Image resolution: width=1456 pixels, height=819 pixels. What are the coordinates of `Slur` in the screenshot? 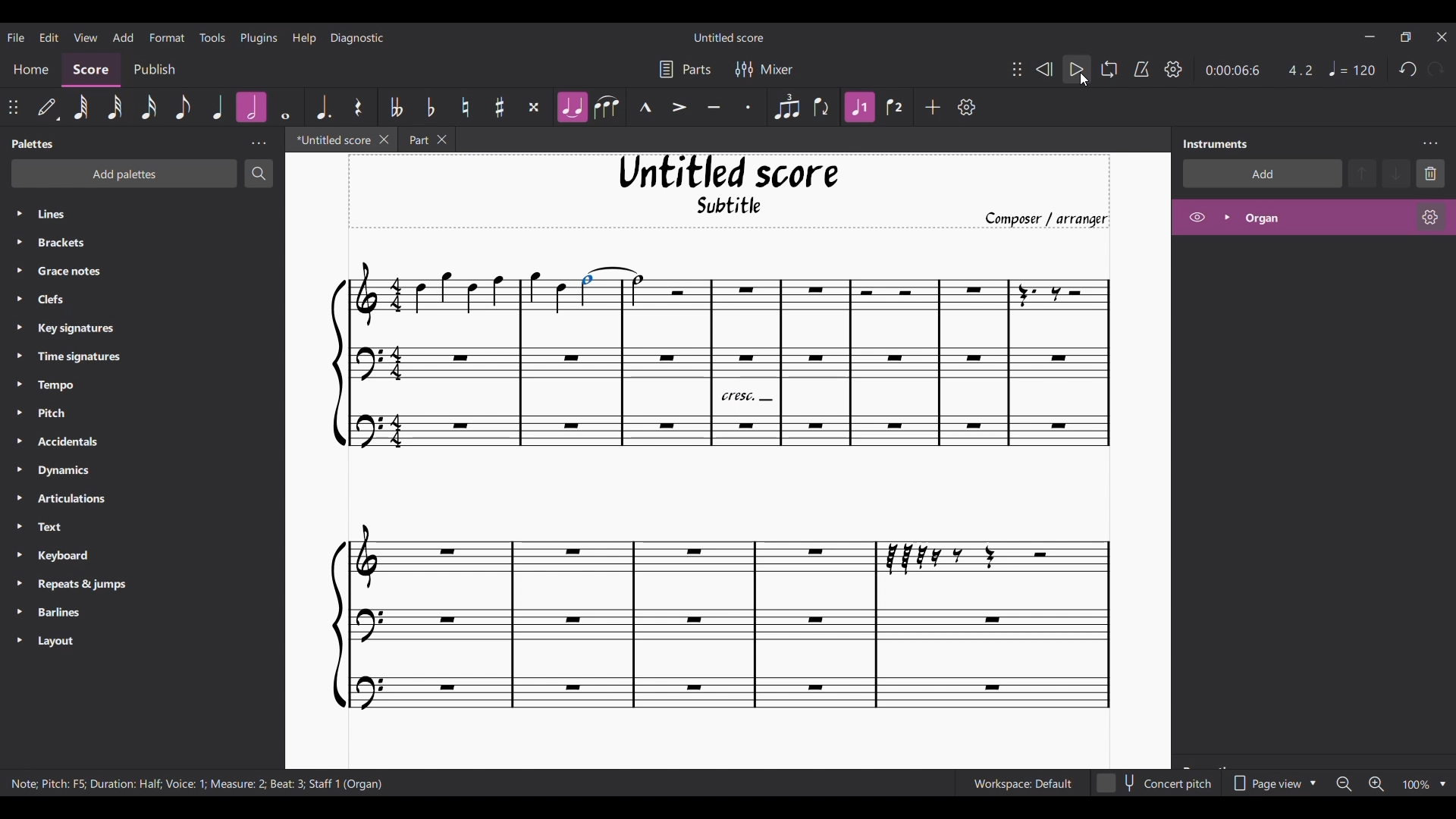 It's located at (607, 107).